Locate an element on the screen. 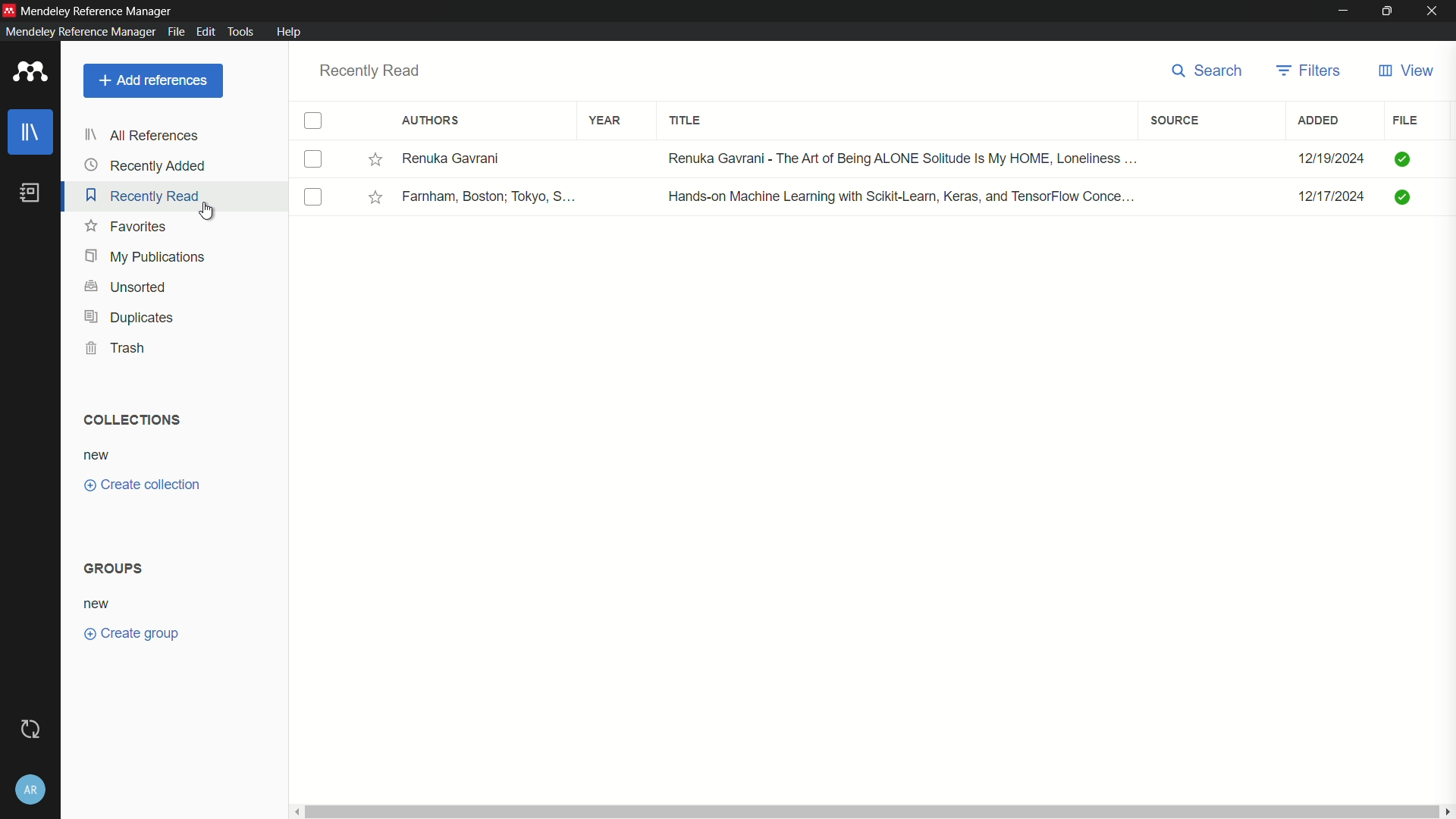  add reference is located at coordinates (154, 80).